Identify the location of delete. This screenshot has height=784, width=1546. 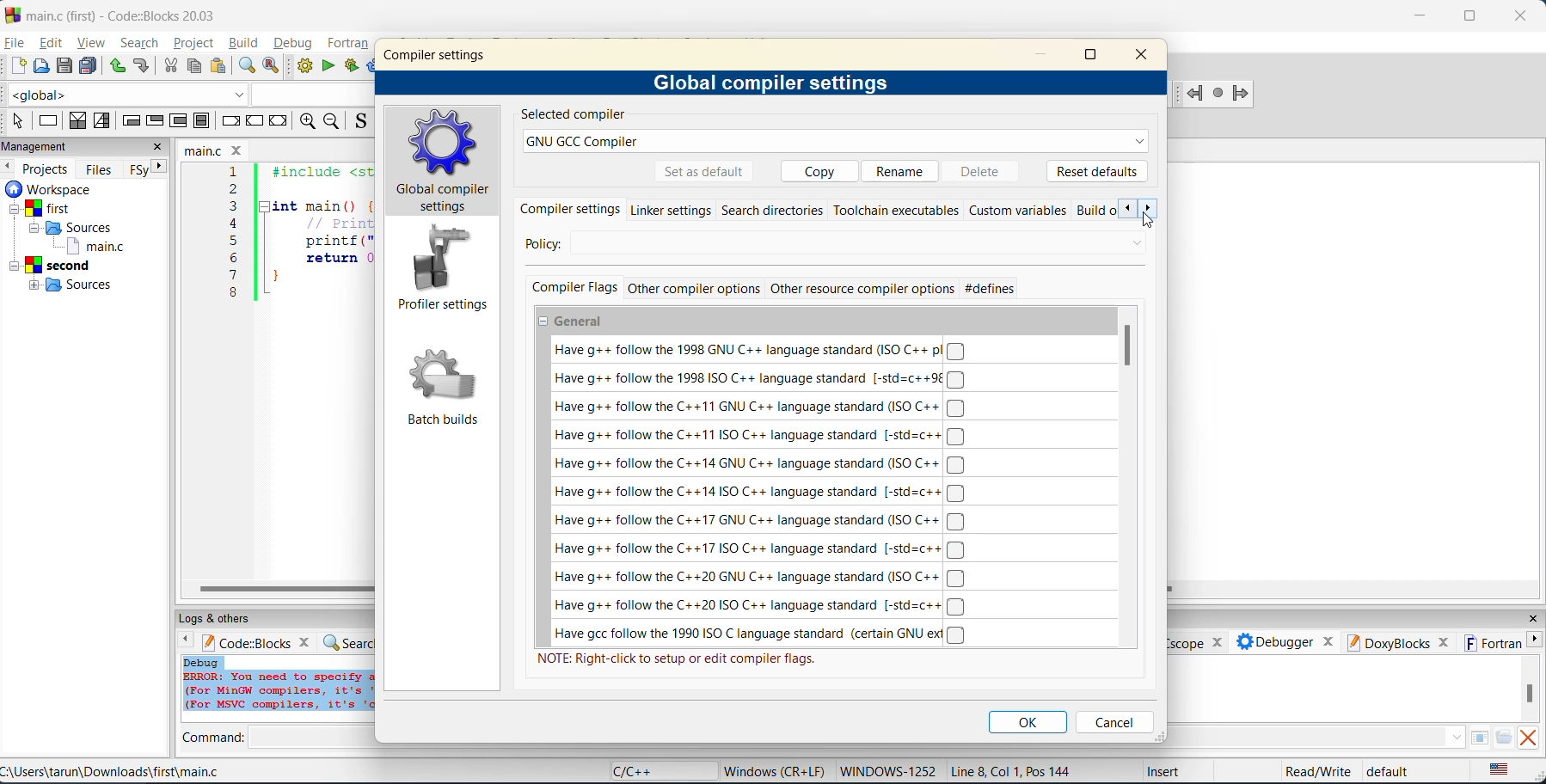
(987, 170).